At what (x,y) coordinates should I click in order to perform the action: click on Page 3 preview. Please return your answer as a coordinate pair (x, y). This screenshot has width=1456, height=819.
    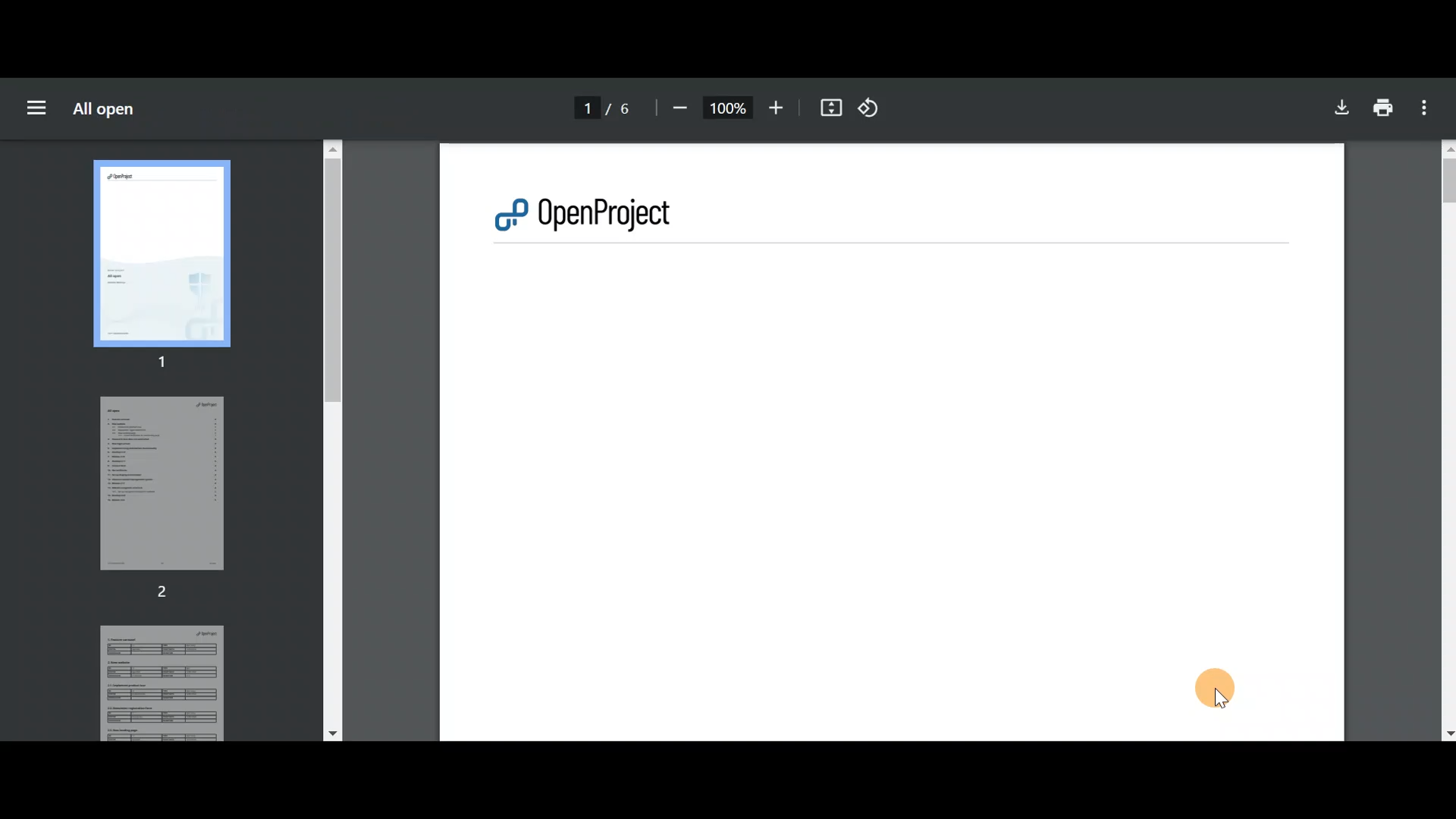
    Looking at the image, I should click on (172, 679).